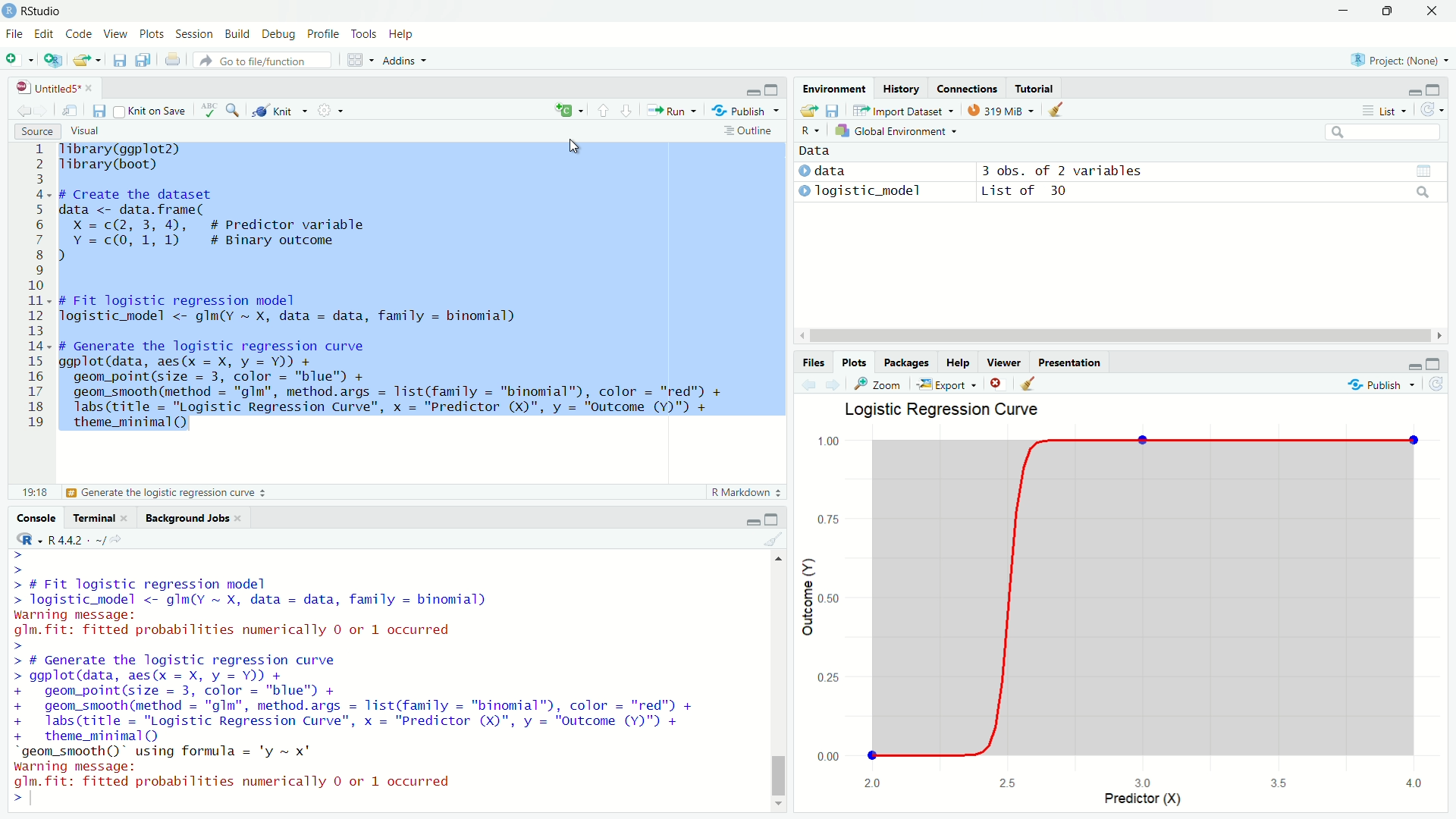 The height and width of the screenshot is (819, 1456). What do you see at coordinates (871, 190) in the screenshot?
I see `logistic_model` at bounding box center [871, 190].